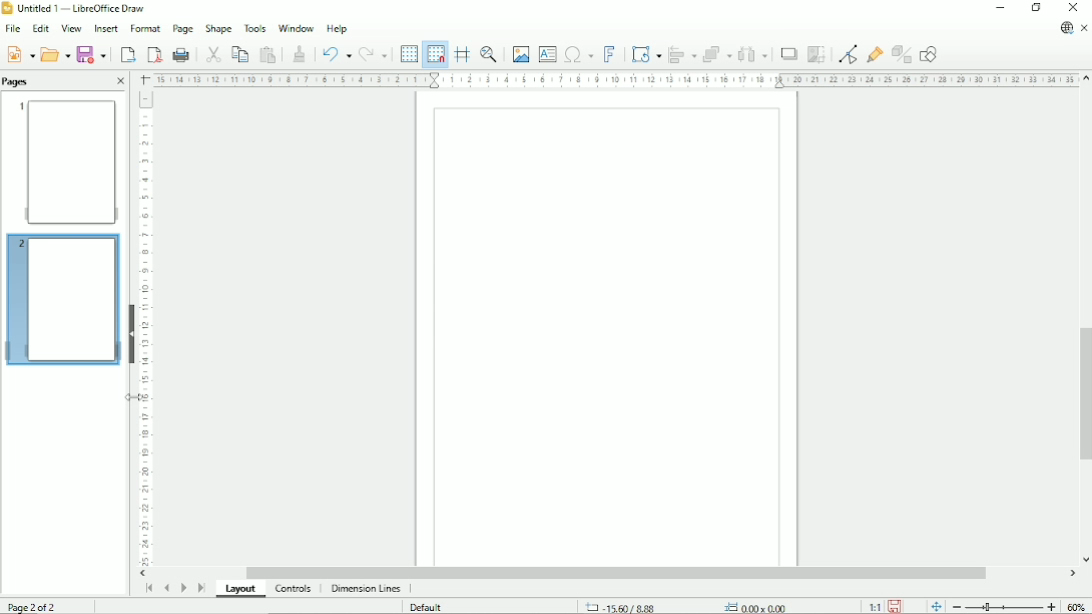 The width and height of the screenshot is (1092, 614). Describe the element at coordinates (610, 53) in the screenshot. I see `Insert fontwork text` at that location.